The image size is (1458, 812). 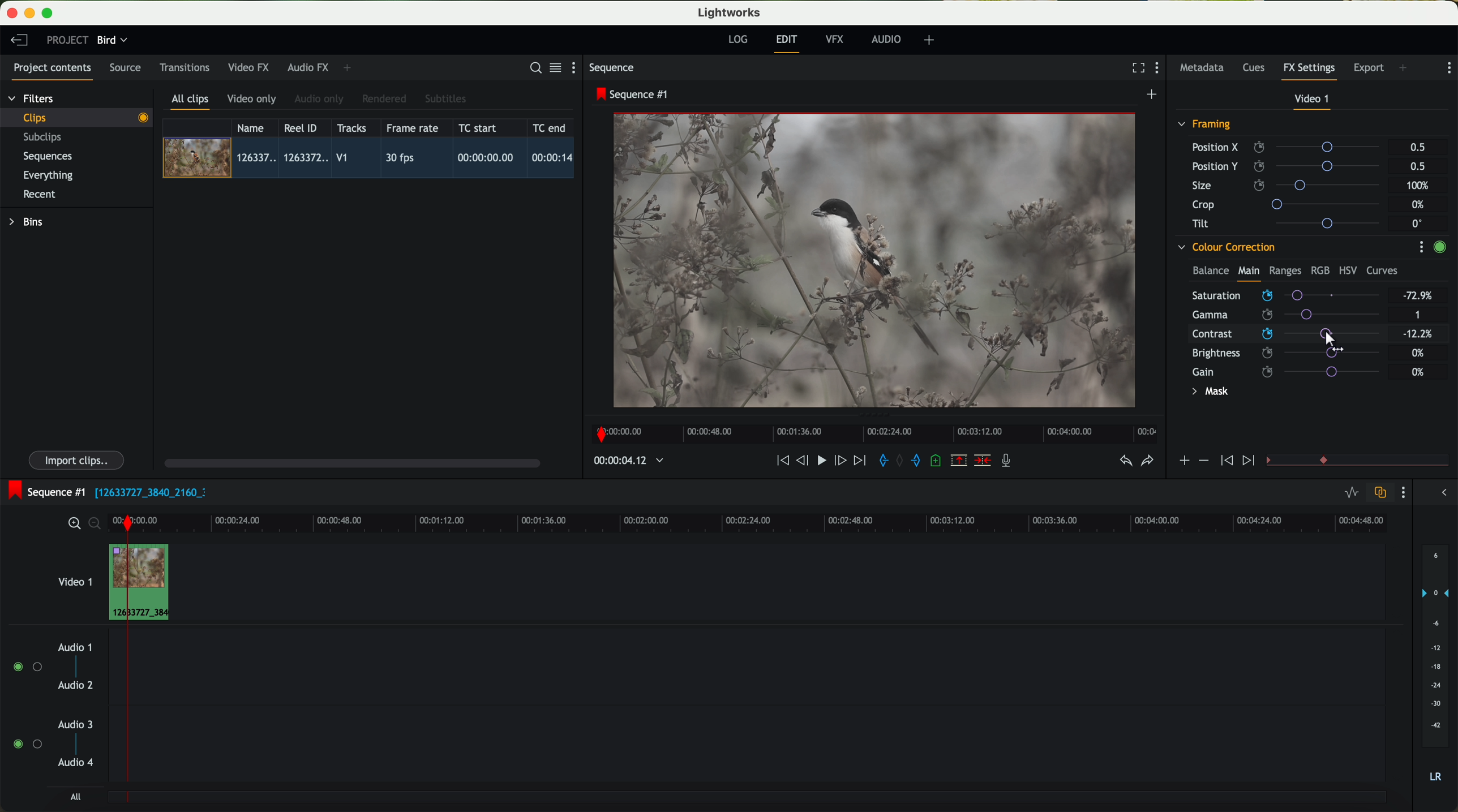 I want to click on video FX, so click(x=251, y=67).